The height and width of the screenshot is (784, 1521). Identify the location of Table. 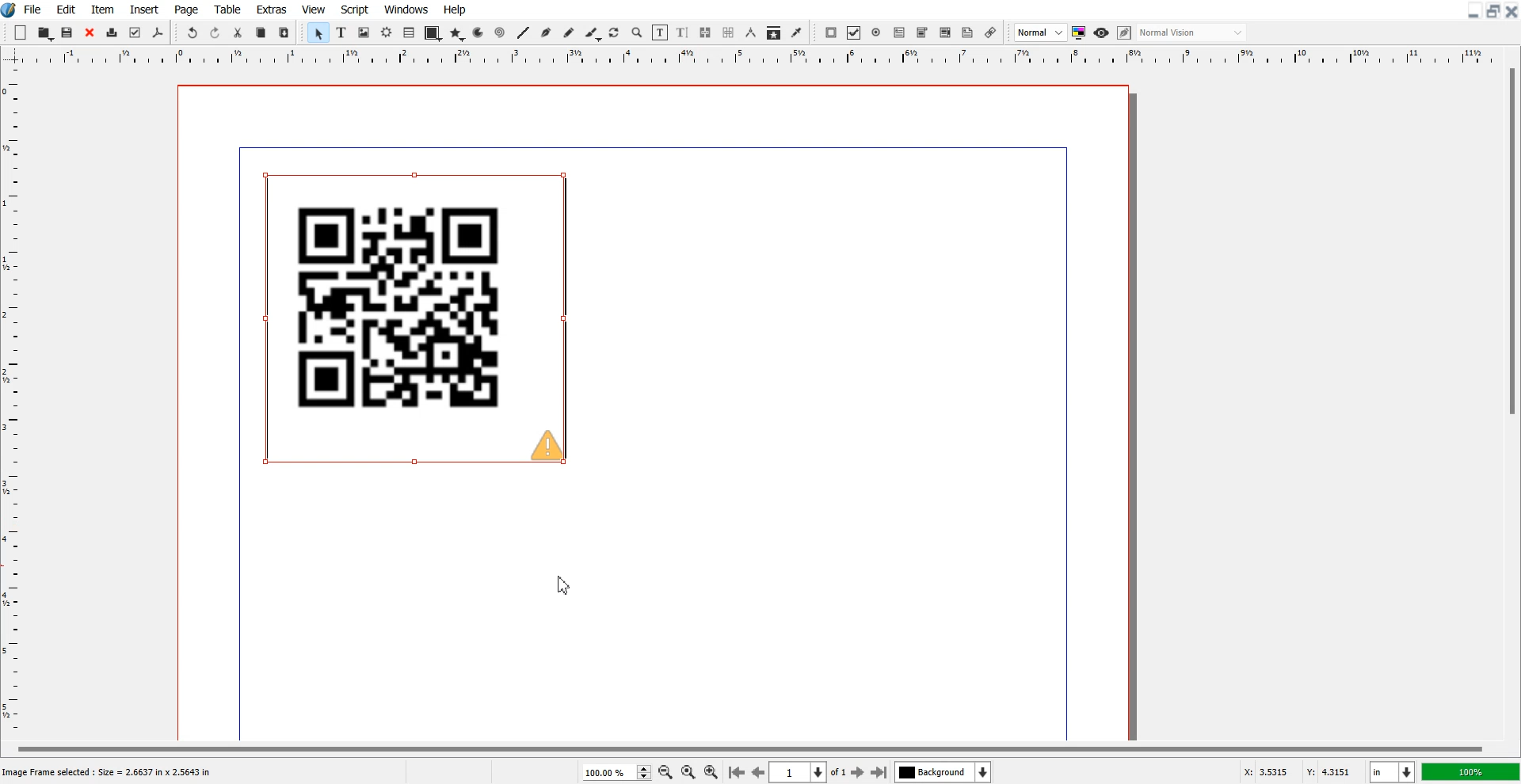
(409, 33).